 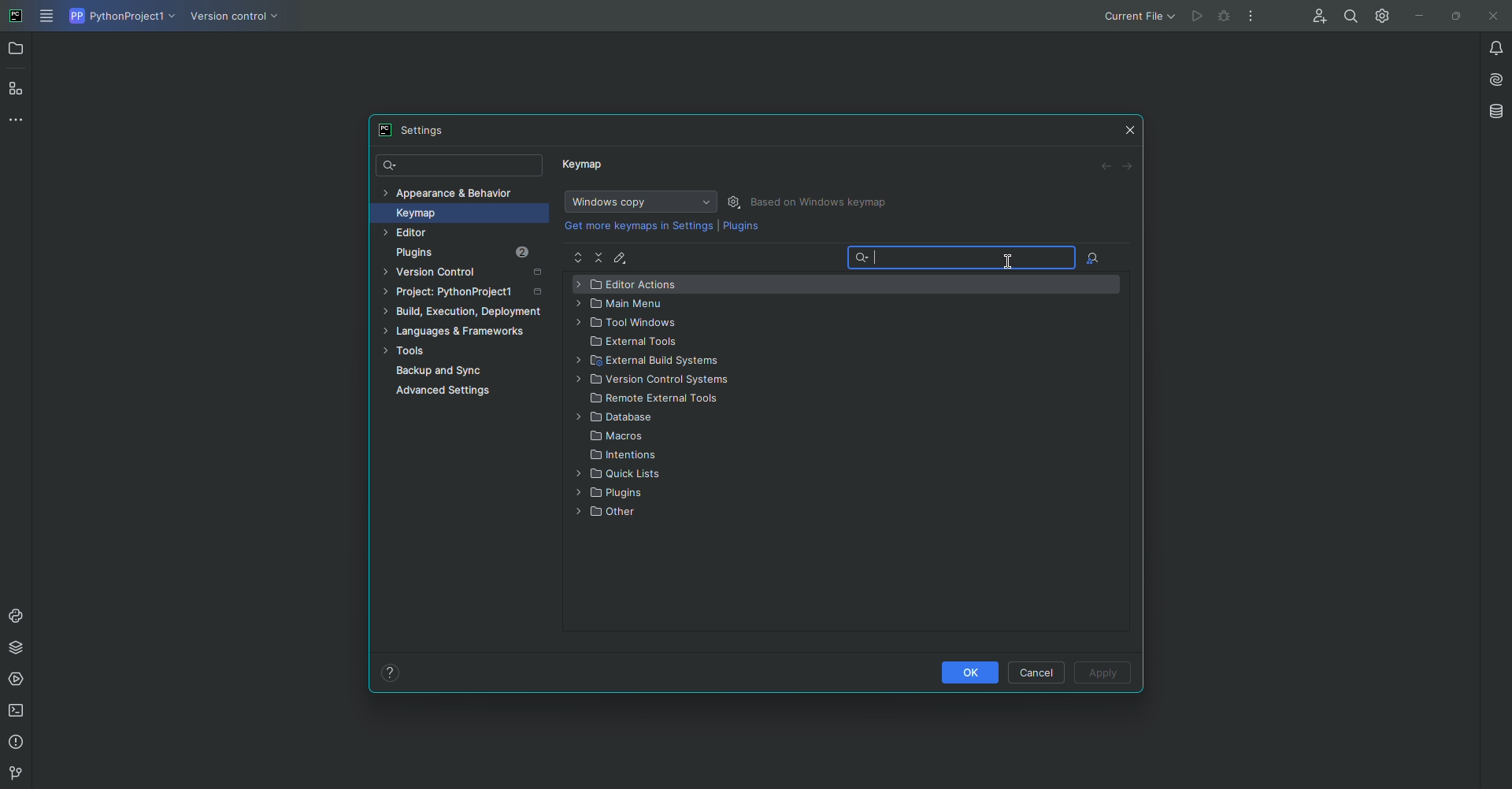 What do you see at coordinates (18, 680) in the screenshot?
I see `Services` at bounding box center [18, 680].